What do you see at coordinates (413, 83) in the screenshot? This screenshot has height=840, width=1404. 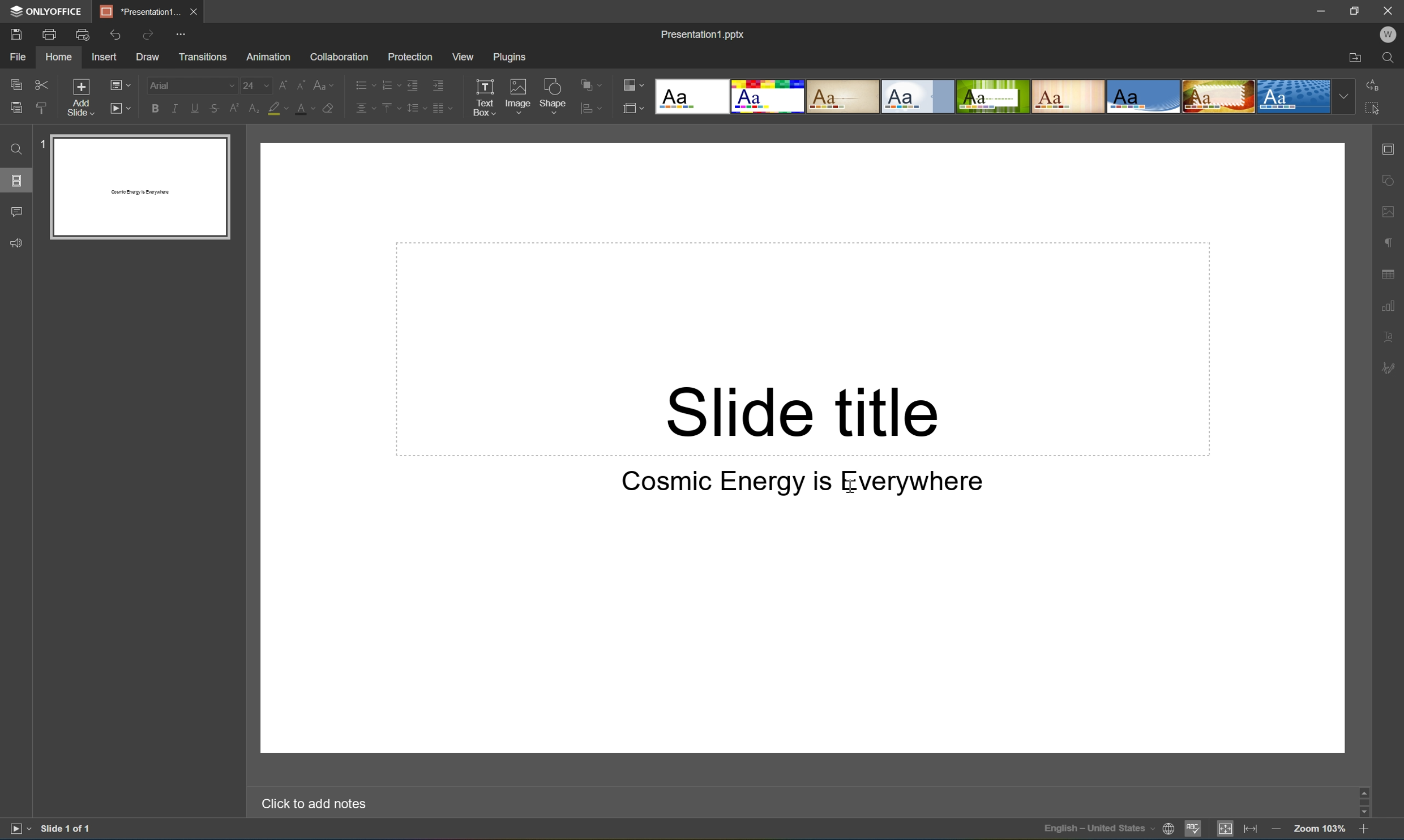 I see `Decrease indent` at bounding box center [413, 83].